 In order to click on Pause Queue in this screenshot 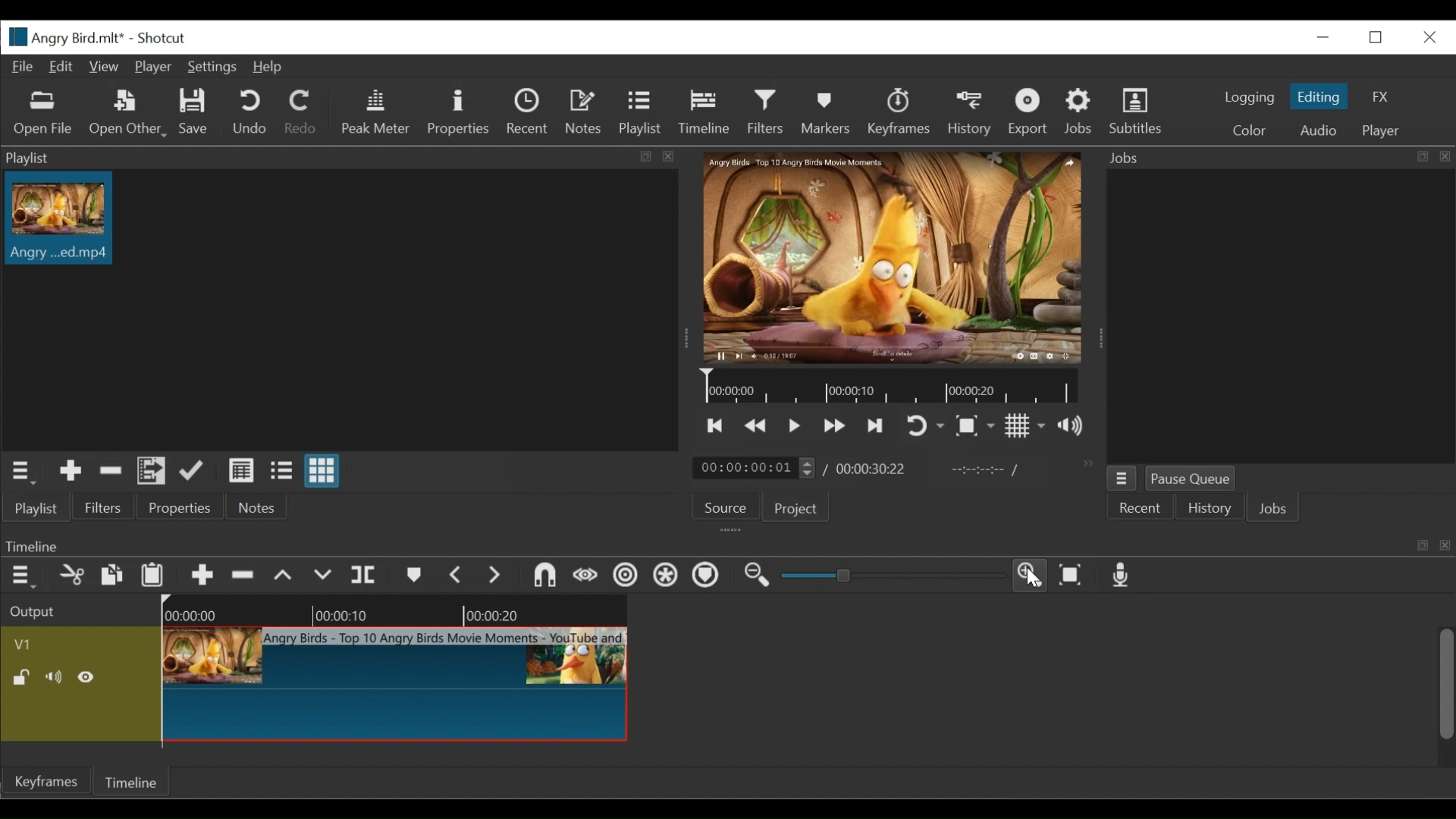, I will do `click(1191, 478)`.